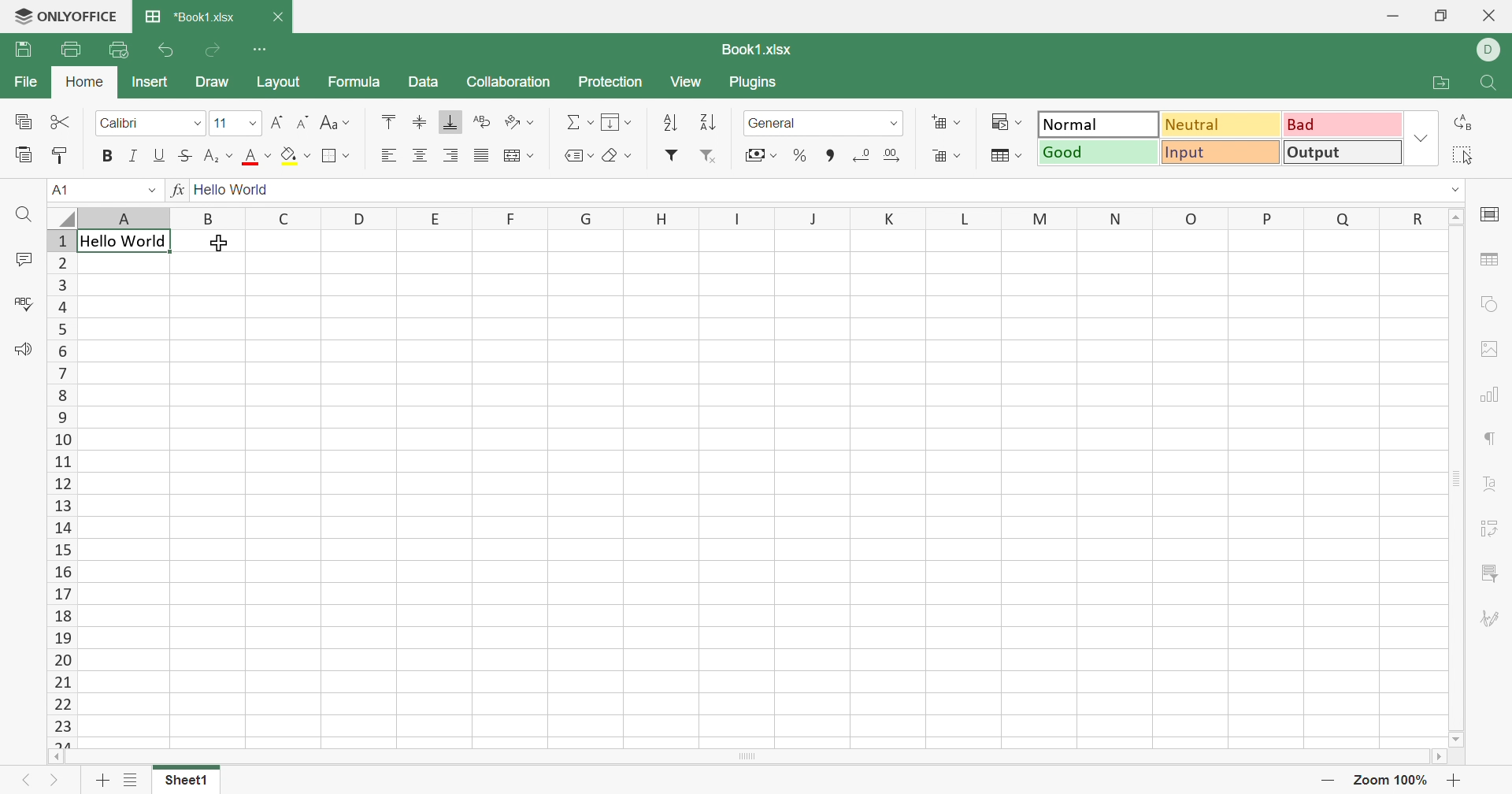 The height and width of the screenshot is (794, 1512). What do you see at coordinates (28, 780) in the screenshot?
I see `Previous` at bounding box center [28, 780].